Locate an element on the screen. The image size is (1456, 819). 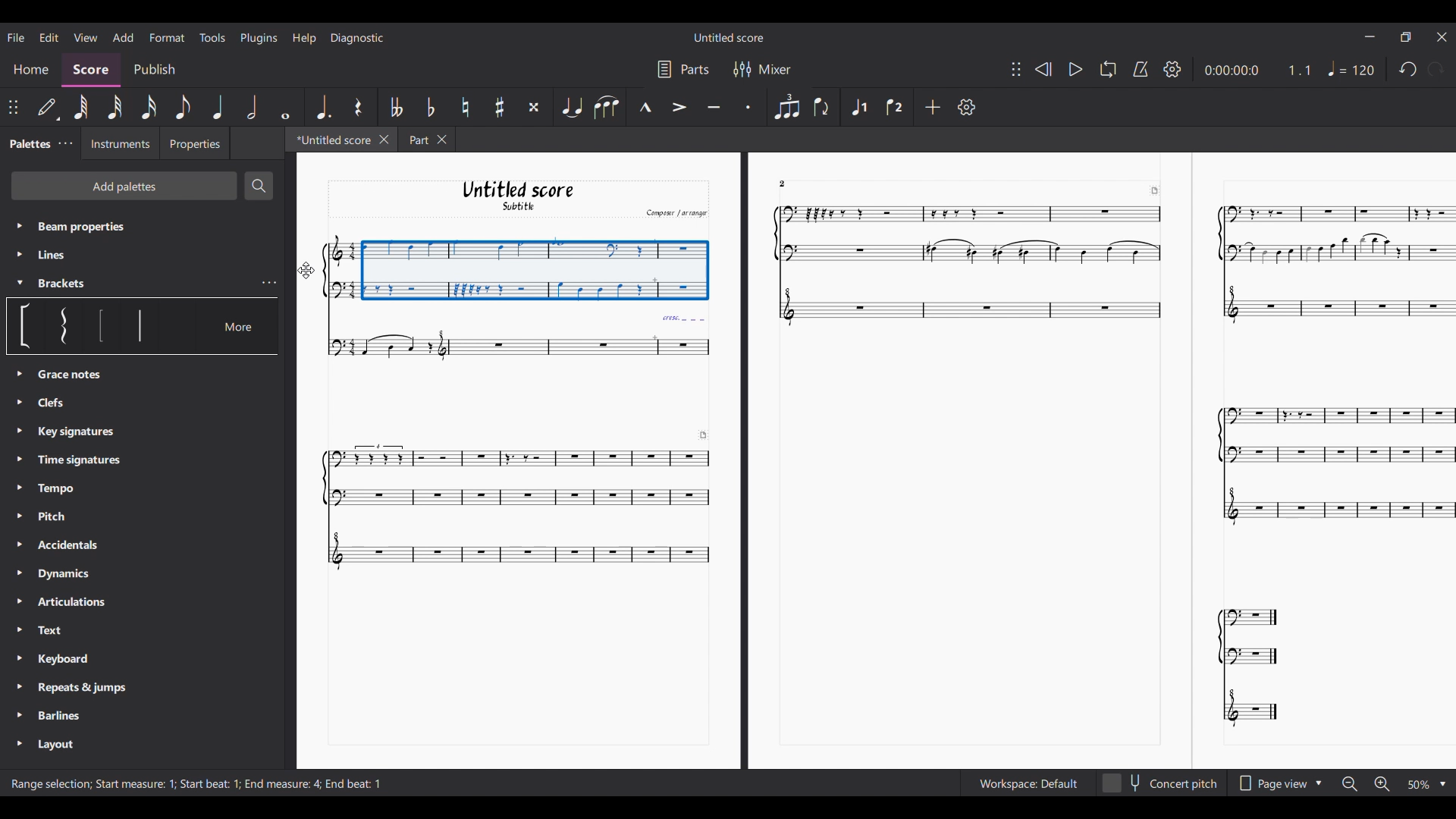
 is located at coordinates (20, 461).